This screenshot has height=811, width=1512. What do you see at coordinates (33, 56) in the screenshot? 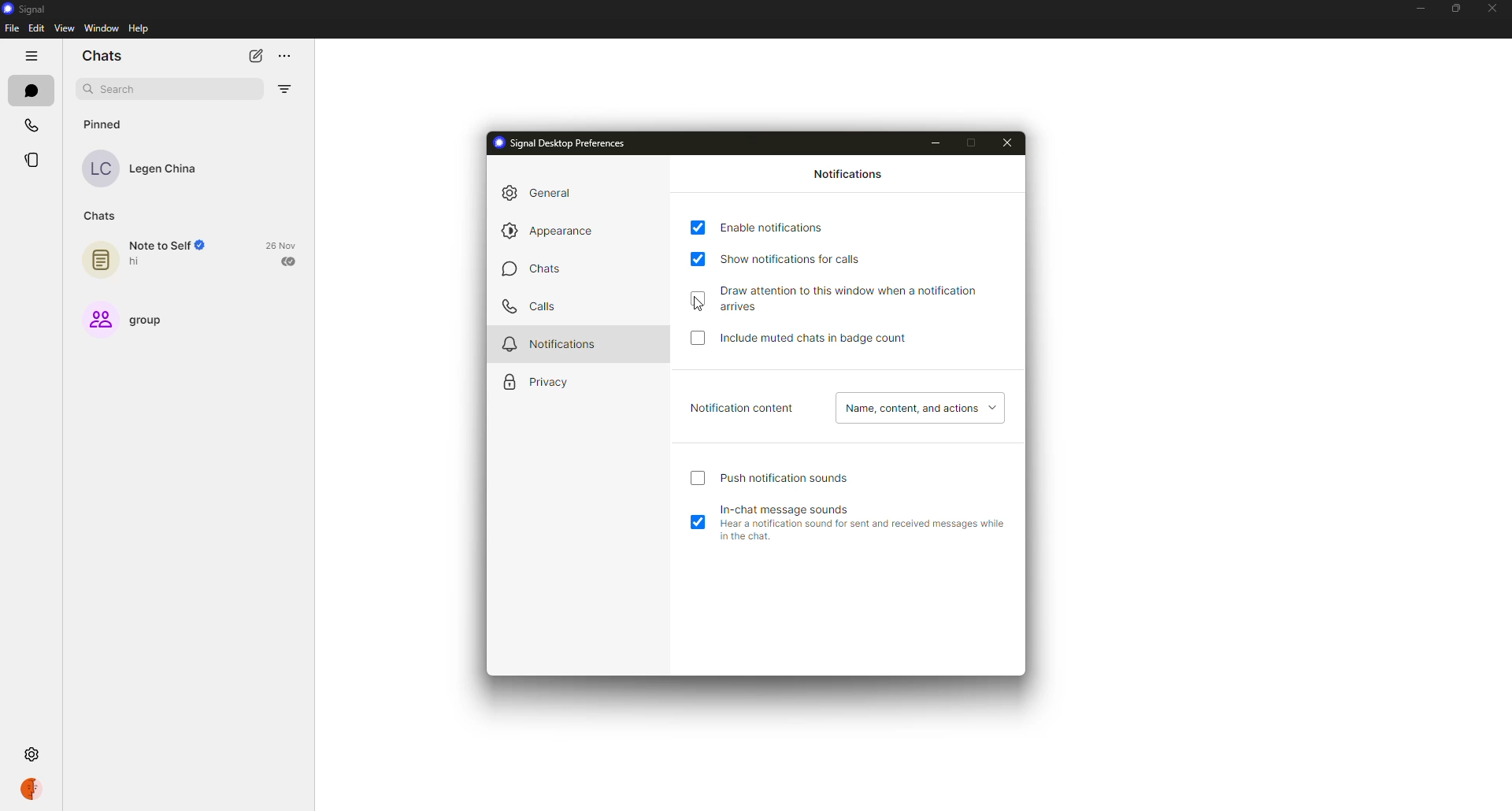
I see `hide tabs` at bounding box center [33, 56].